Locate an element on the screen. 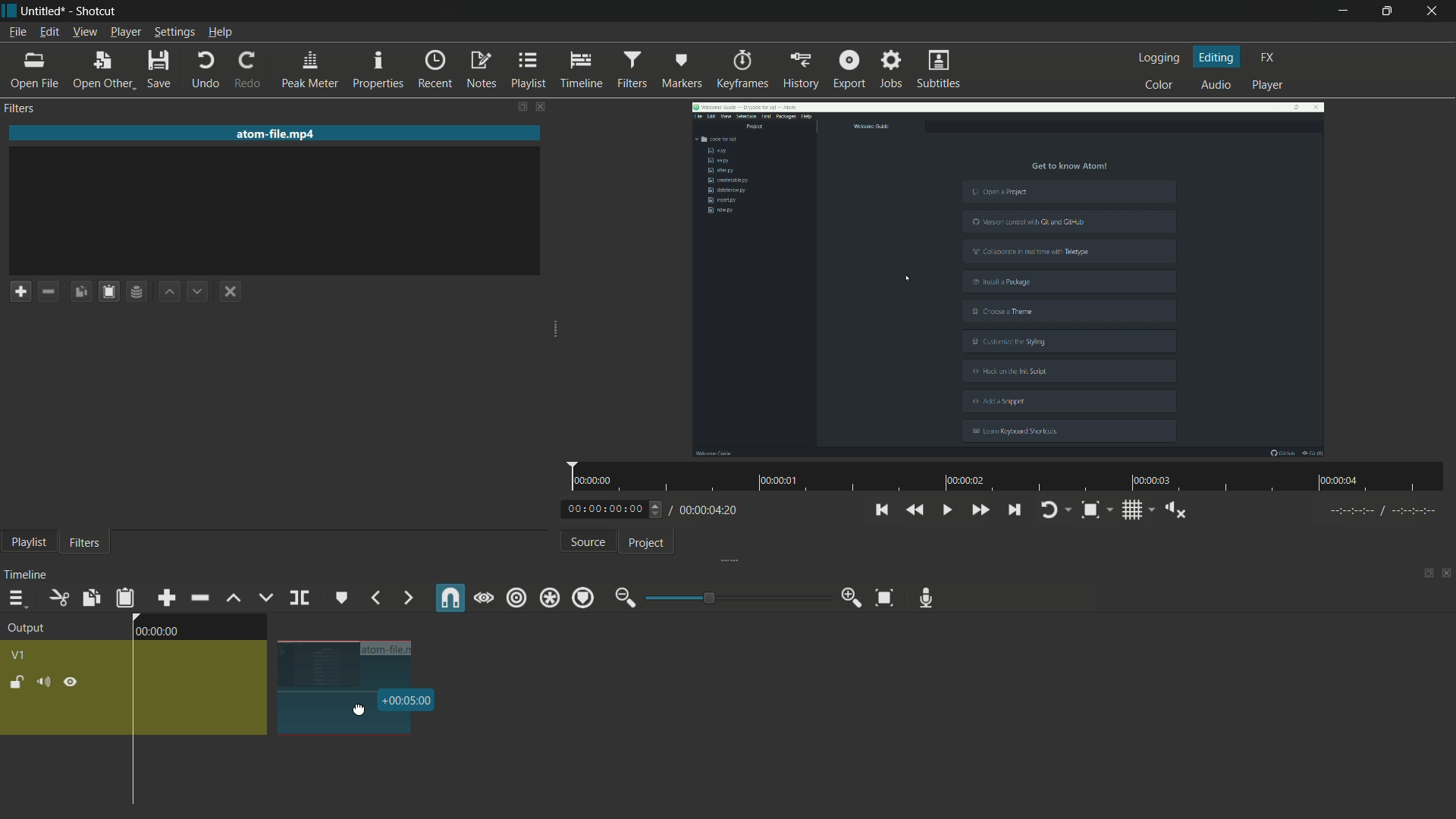  File Name is located at coordinates (390, 646).